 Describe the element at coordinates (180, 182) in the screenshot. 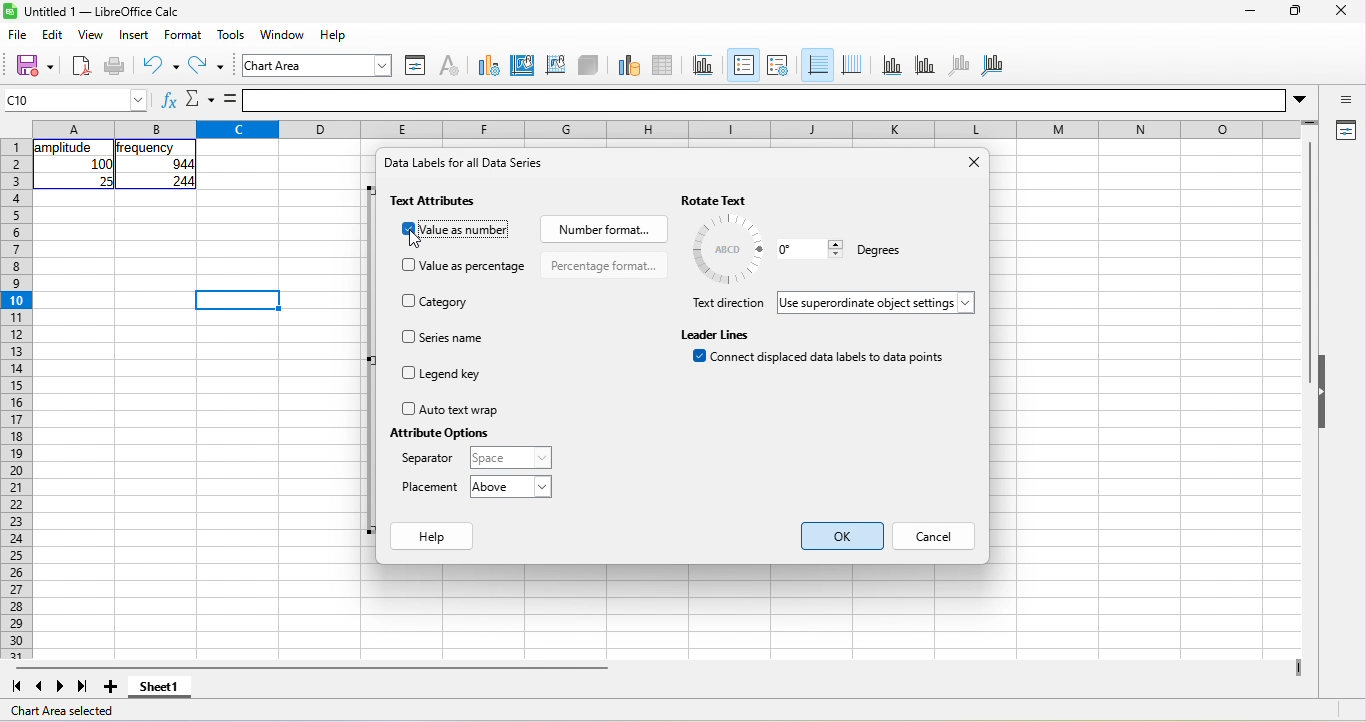

I see `244` at that location.